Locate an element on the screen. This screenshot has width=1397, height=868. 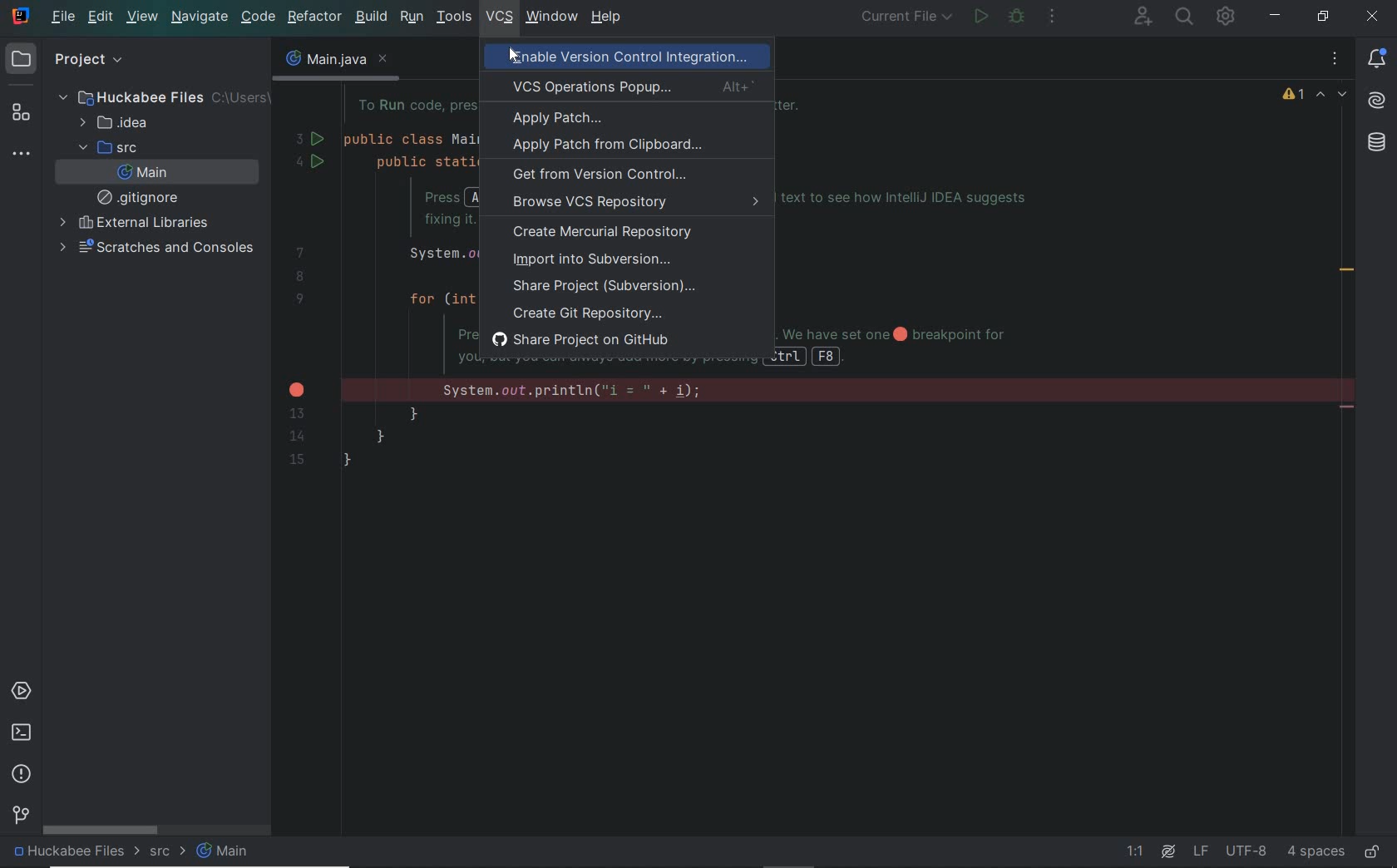
share project on Github is located at coordinates (591, 341).